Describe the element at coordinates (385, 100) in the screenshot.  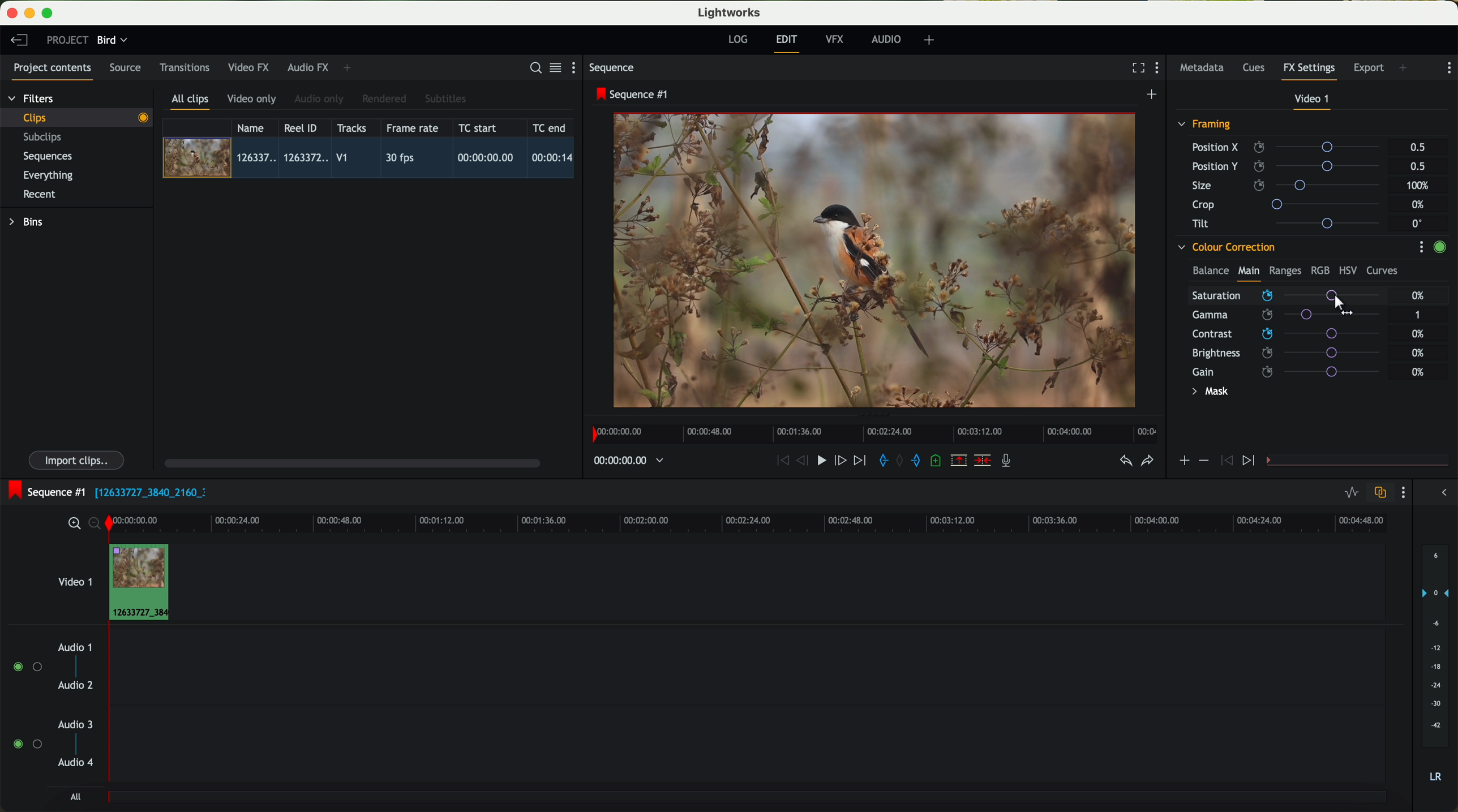
I see `rendered` at that location.